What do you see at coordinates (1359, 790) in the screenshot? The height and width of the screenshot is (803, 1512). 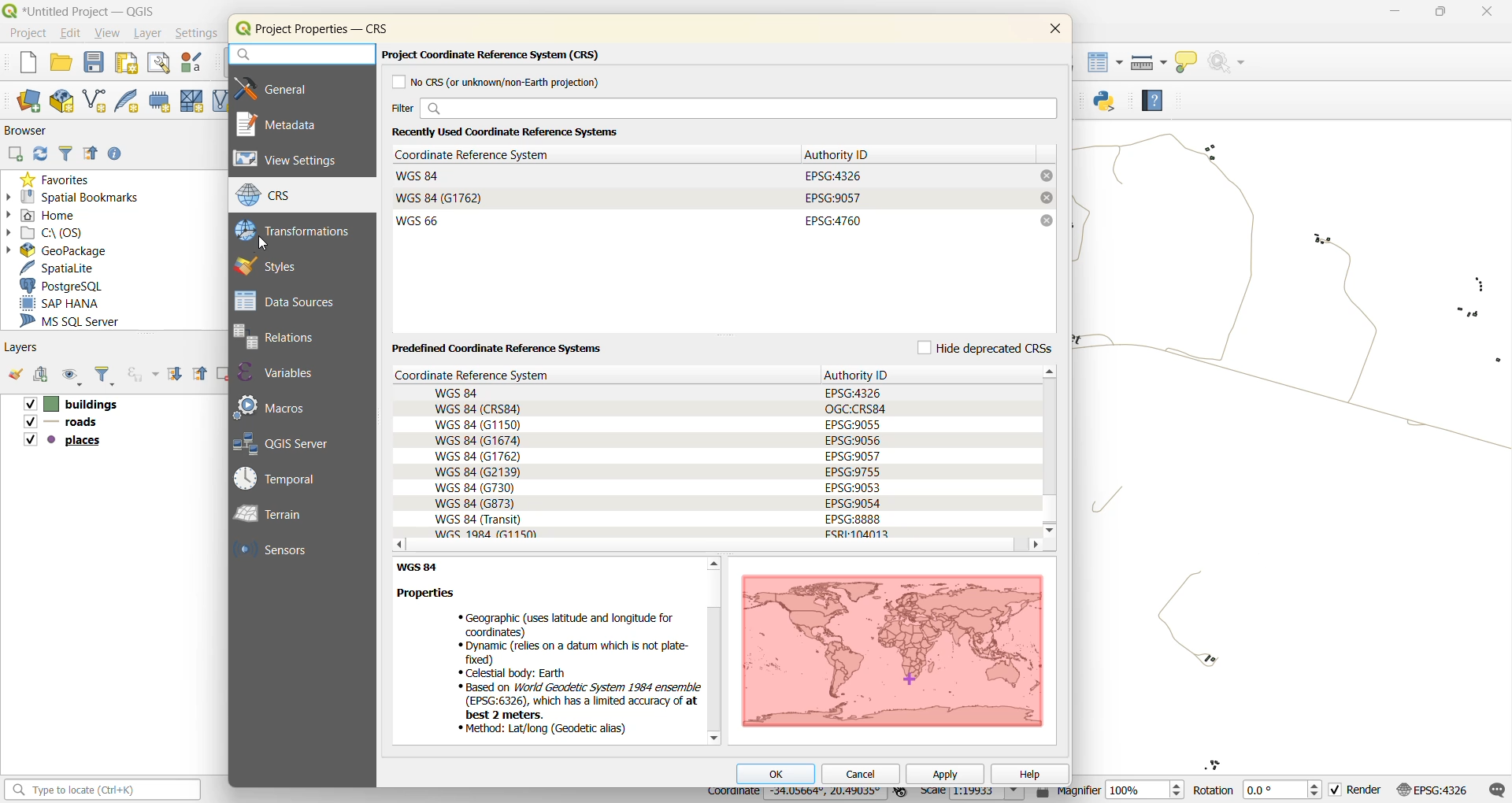 I see `render` at bounding box center [1359, 790].